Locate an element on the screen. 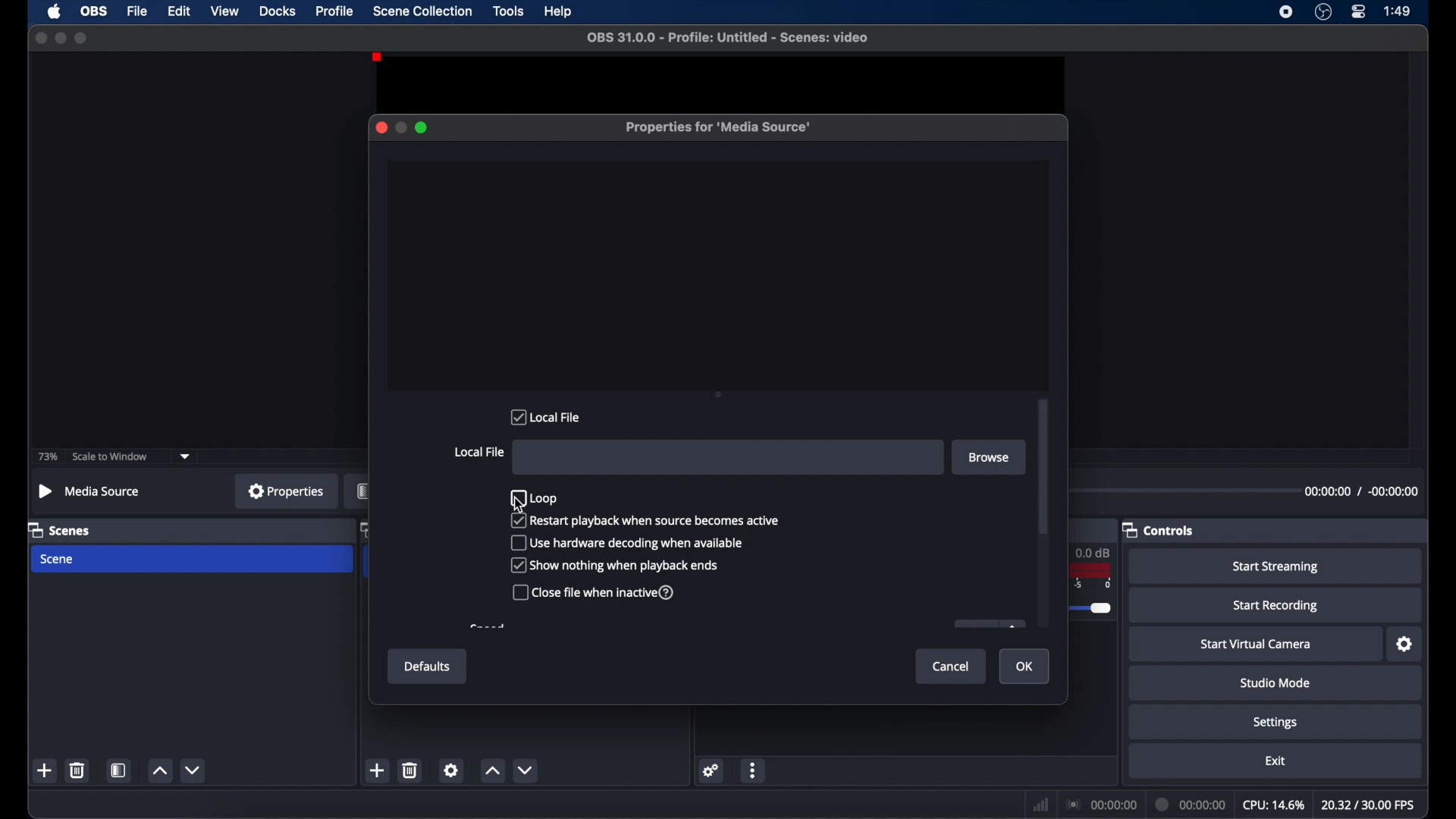 This screenshot has height=819, width=1456. time is located at coordinates (1398, 11).